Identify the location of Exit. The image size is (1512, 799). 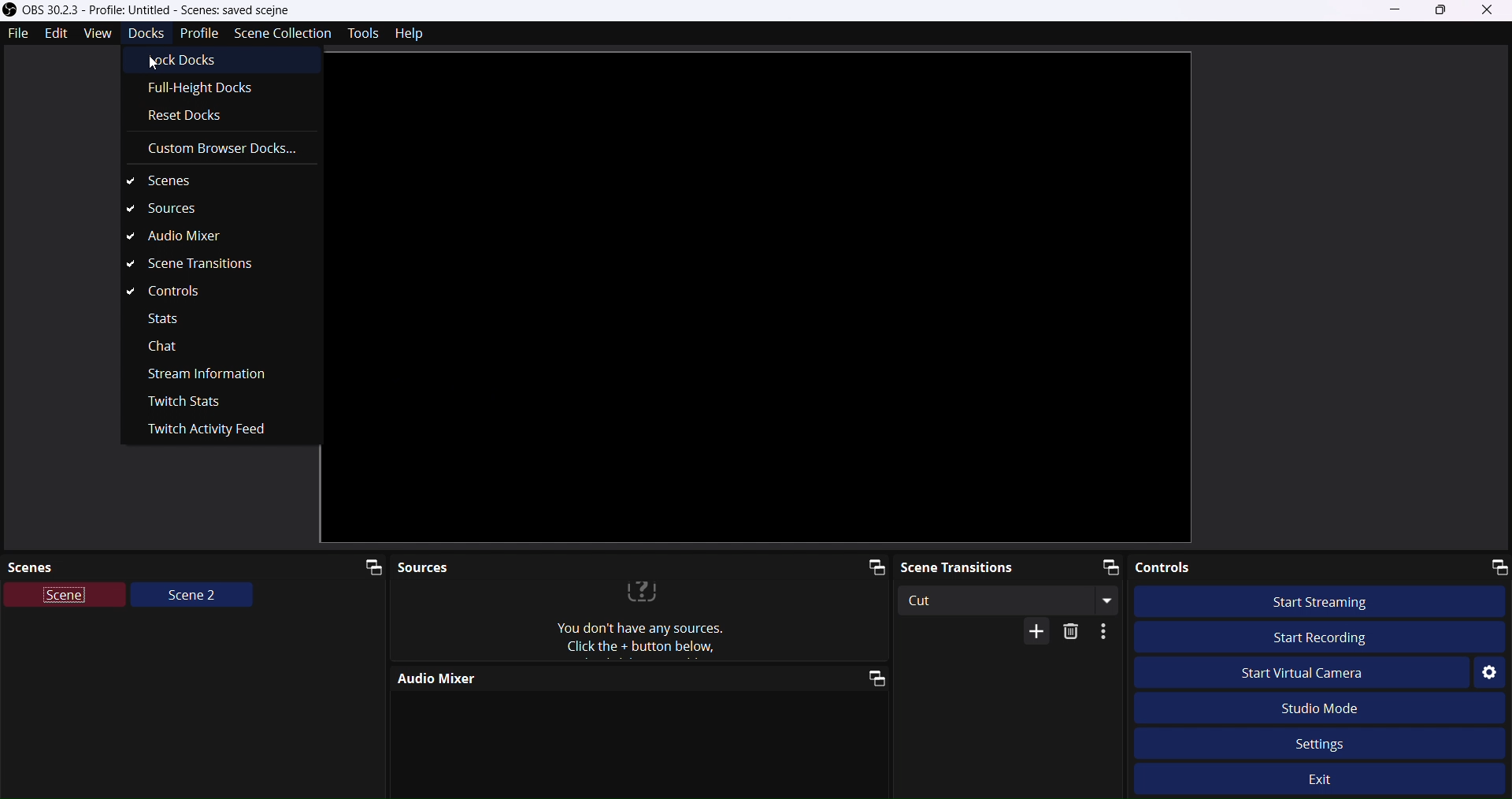
(1333, 782).